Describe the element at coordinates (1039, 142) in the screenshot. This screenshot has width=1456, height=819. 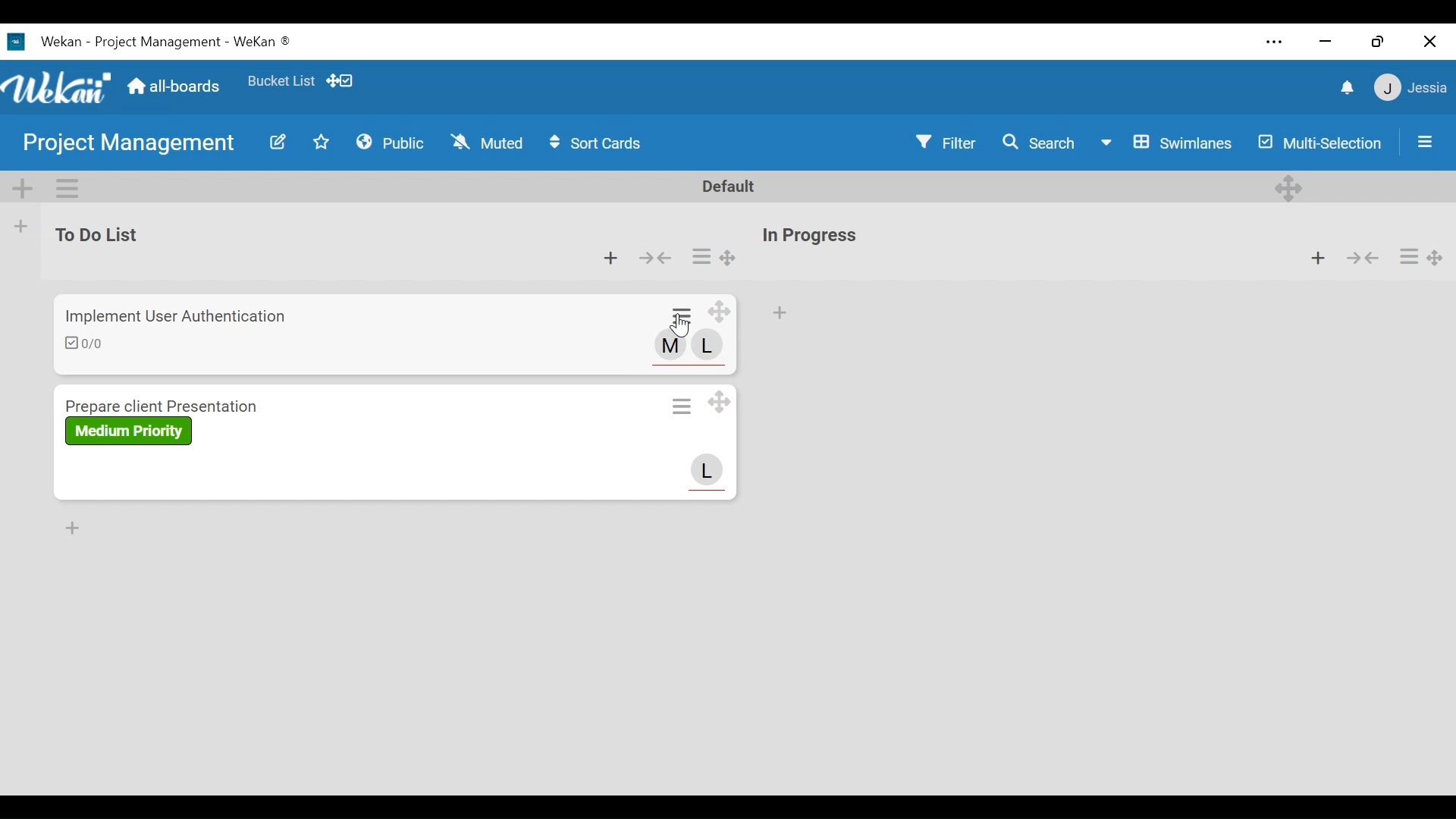
I see `Search` at that location.